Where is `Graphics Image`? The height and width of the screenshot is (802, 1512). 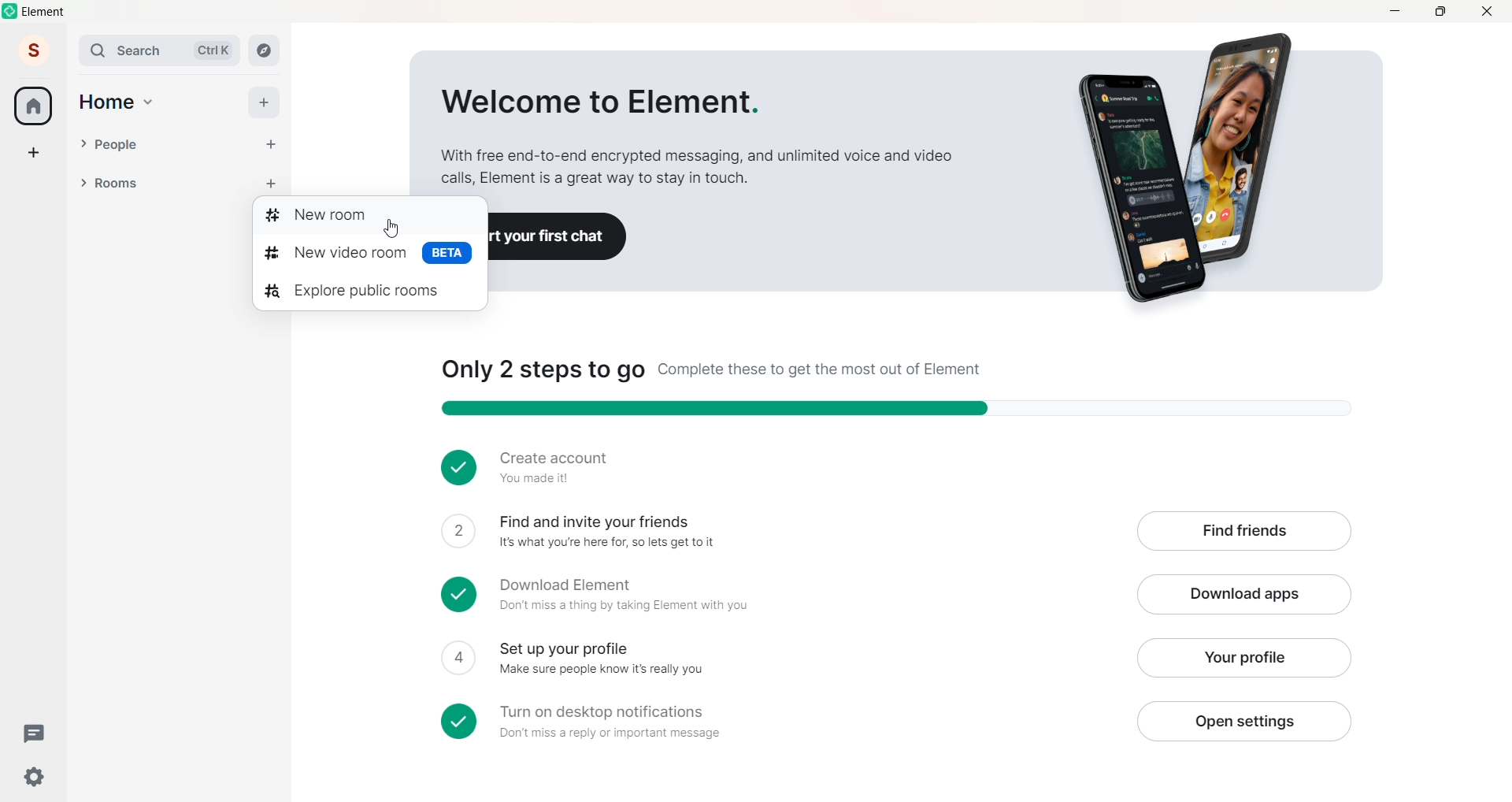 Graphics Image is located at coordinates (1194, 169).